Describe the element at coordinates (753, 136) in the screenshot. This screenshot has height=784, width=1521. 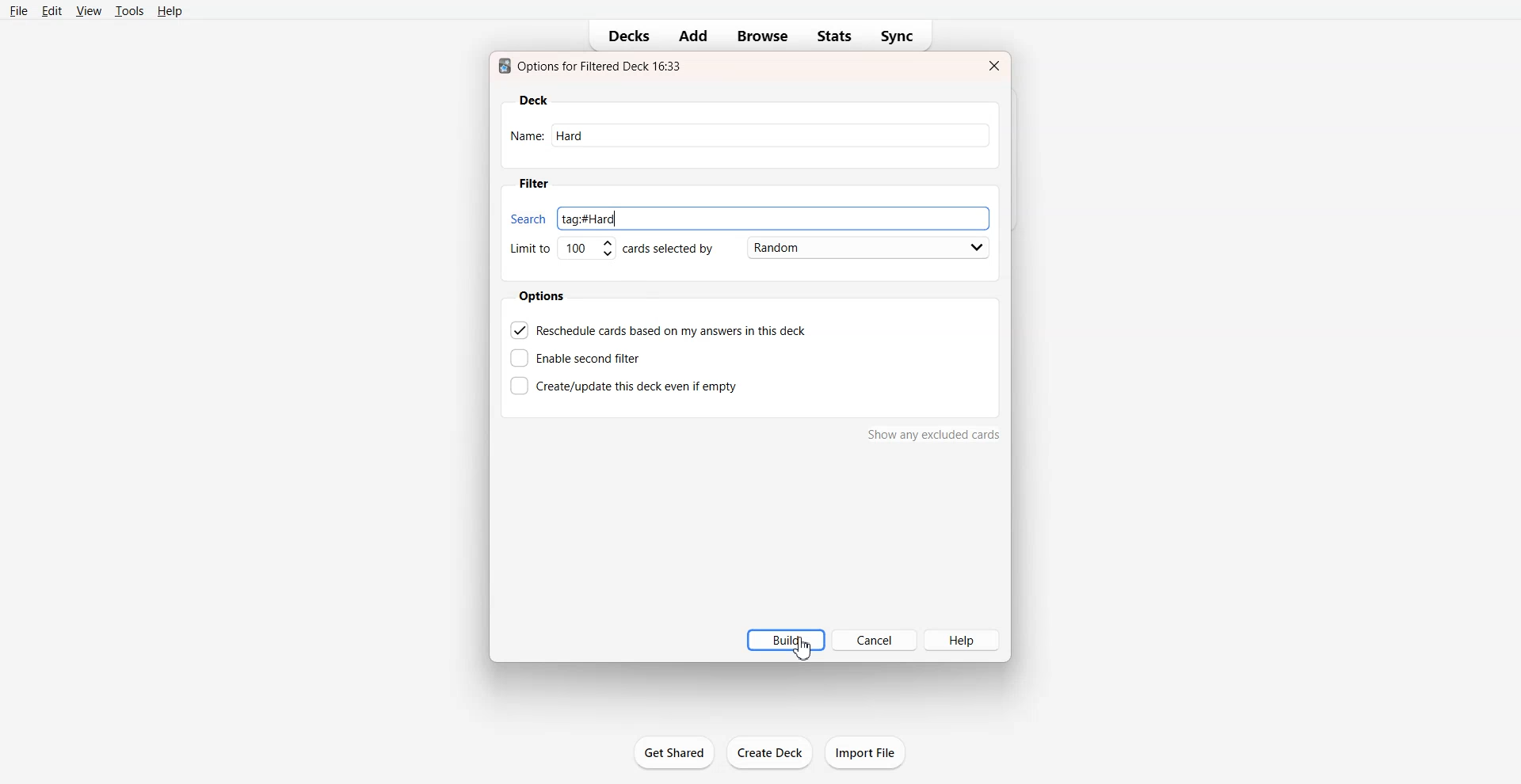
I see `Name: hard` at that location.